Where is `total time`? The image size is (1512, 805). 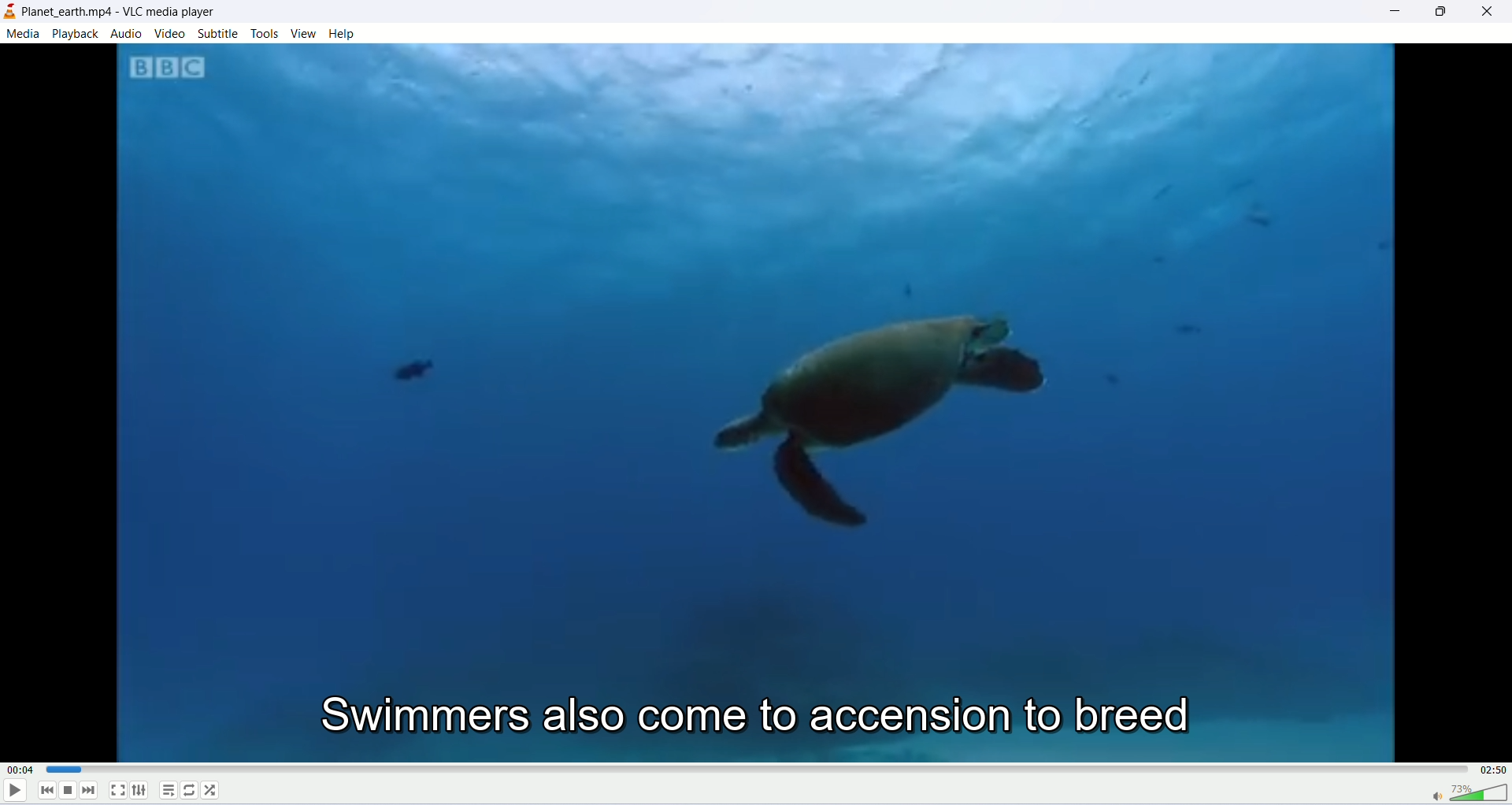 total time is located at coordinates (1493, 768).